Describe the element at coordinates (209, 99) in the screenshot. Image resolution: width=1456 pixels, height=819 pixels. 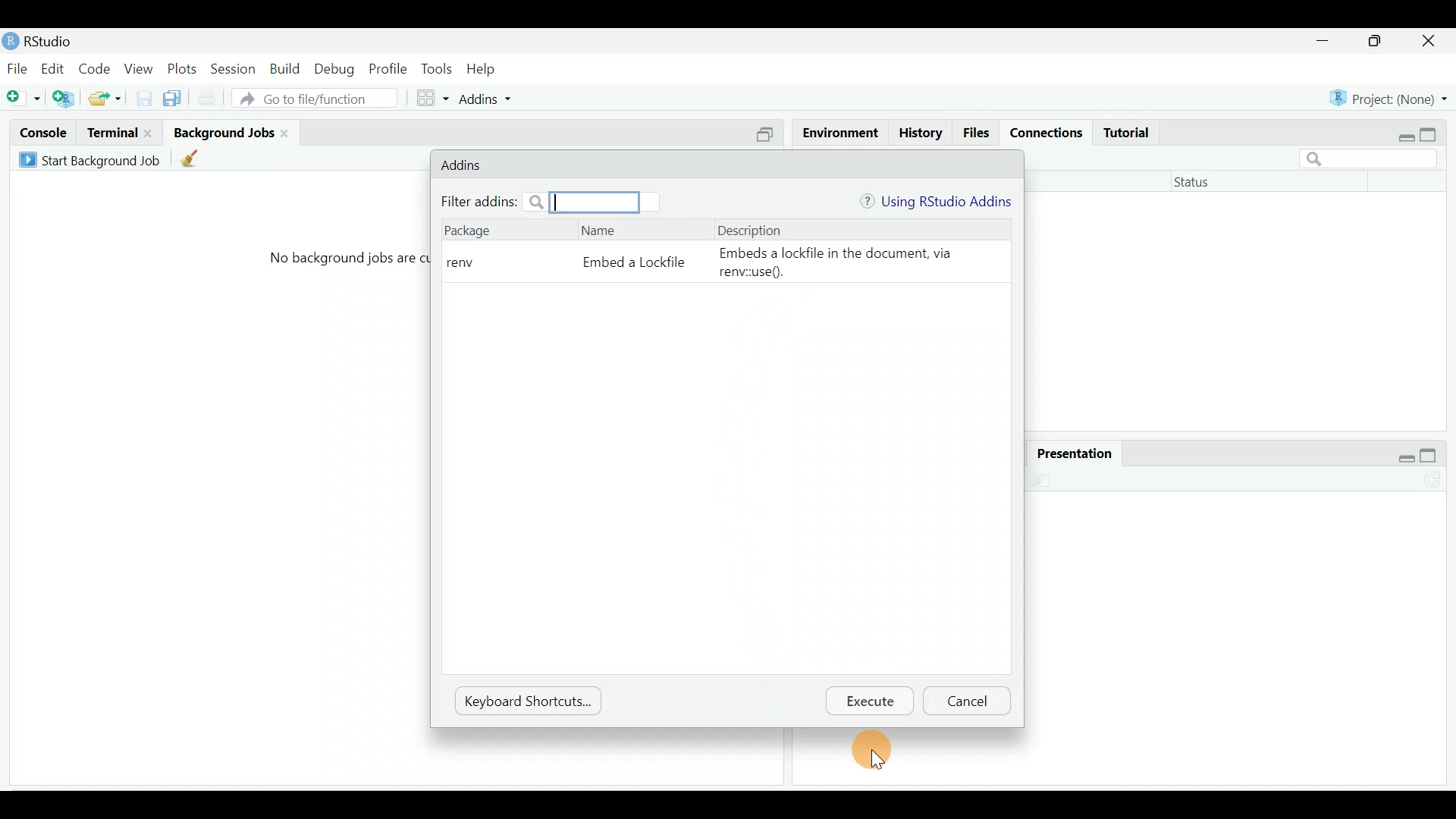
I see `Print current file` at that location.